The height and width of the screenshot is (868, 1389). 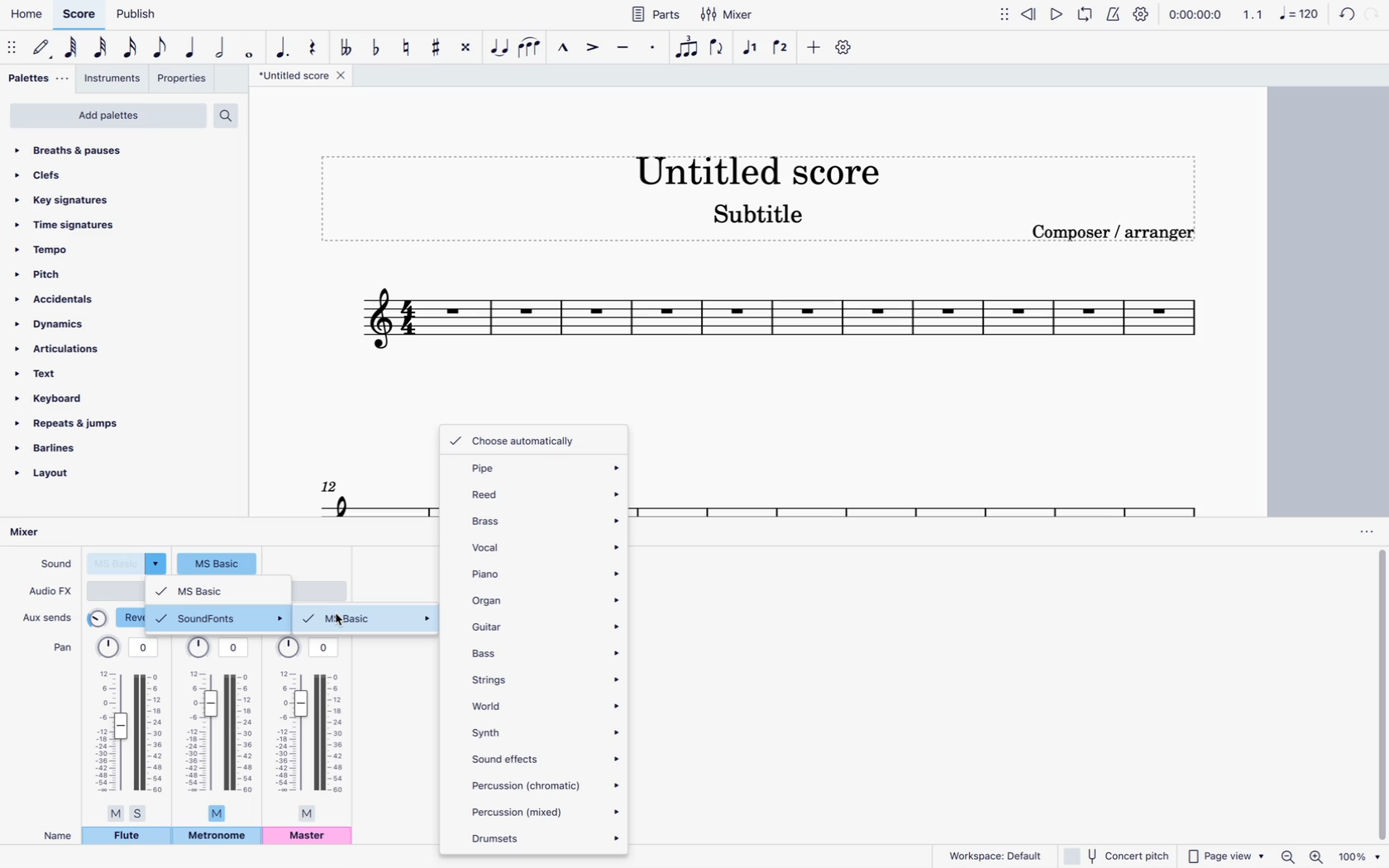 I want to click on name, so click(x=58, y=836).